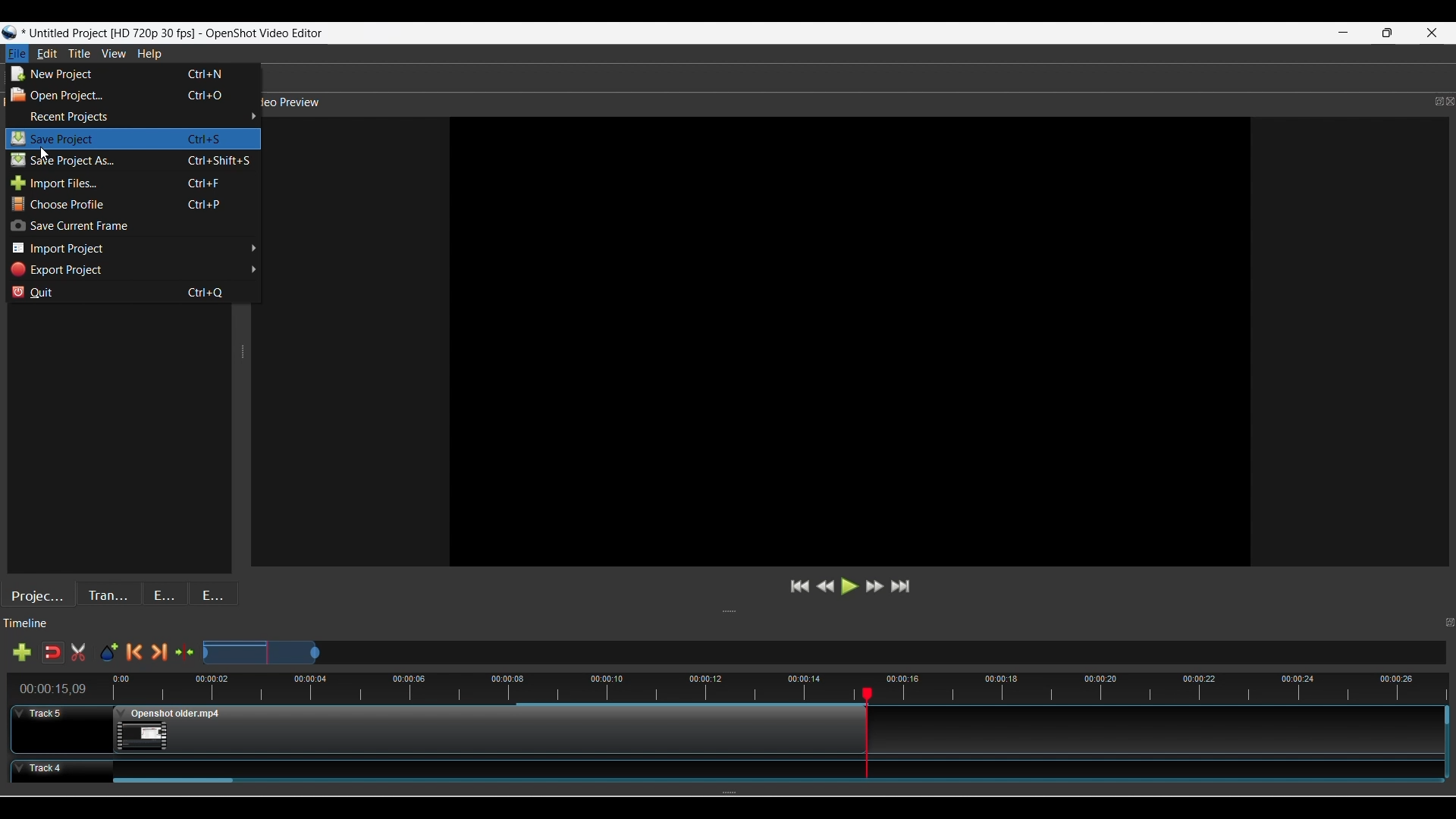  I want to click on Cut, so click(78, 652).